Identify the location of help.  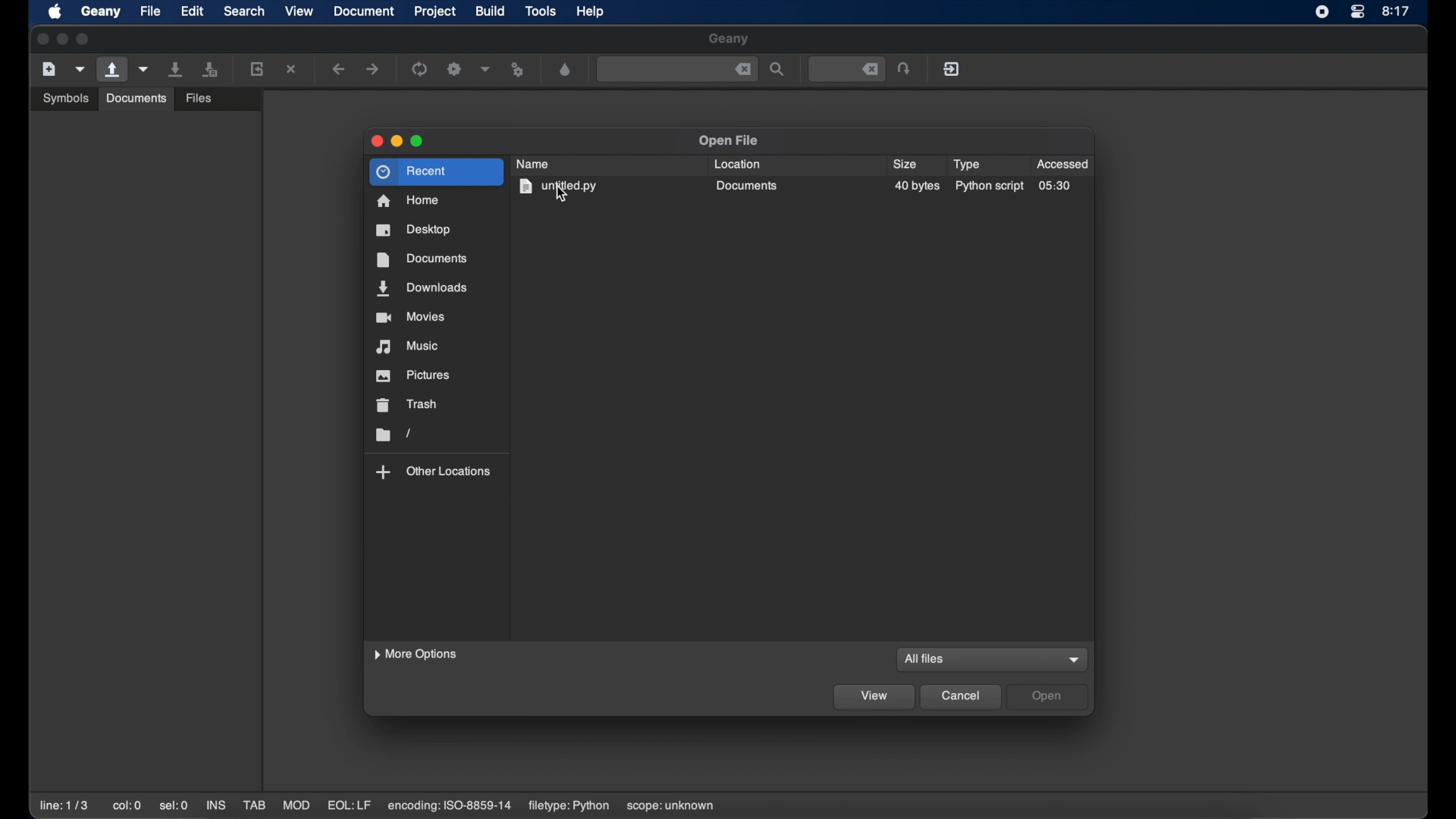
(590, 11).